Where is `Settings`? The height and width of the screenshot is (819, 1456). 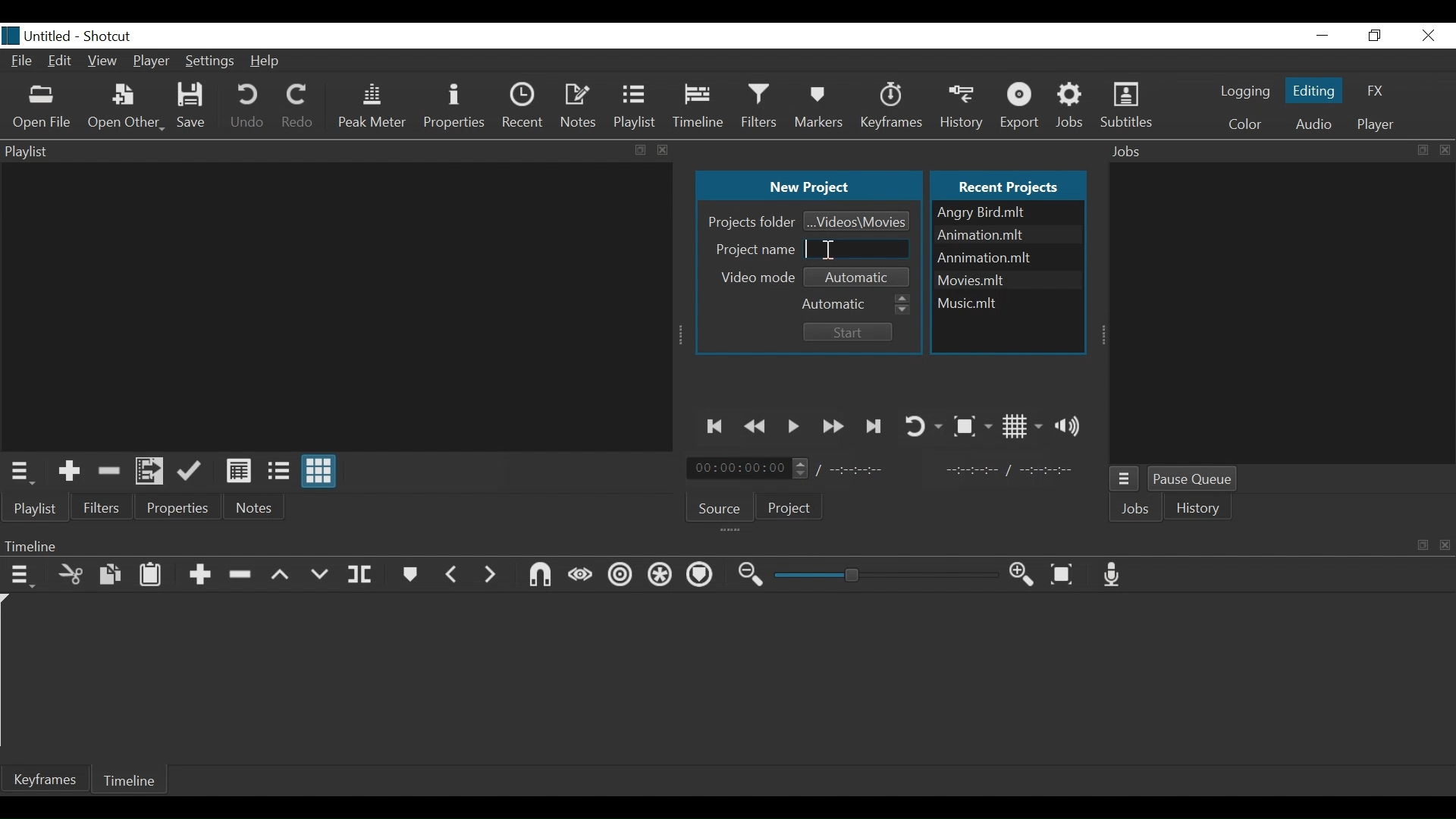 Settings is located at coordinates (208, 63).